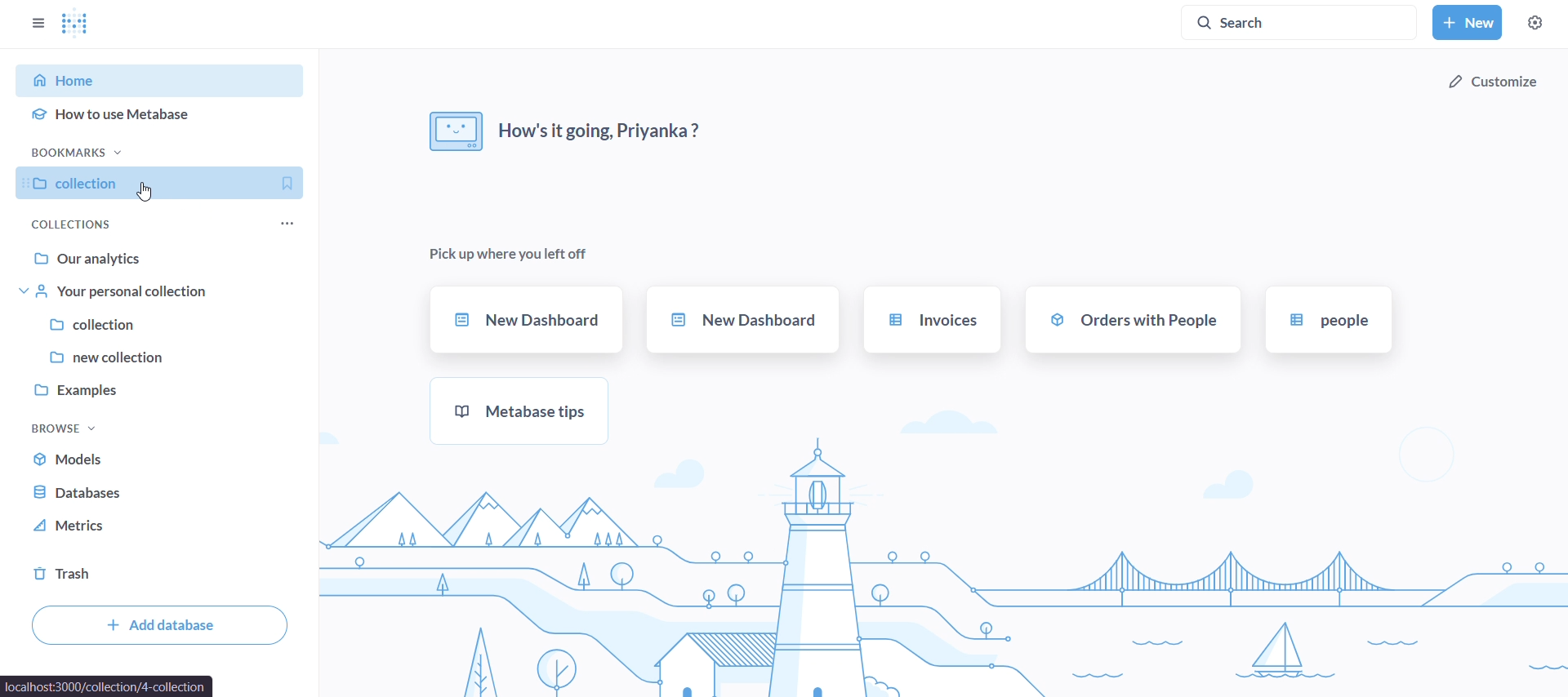  What do you see at coordinates (1134, 320) in the screenshot?
I see `orders with people` at bounding box center [1134, 320].